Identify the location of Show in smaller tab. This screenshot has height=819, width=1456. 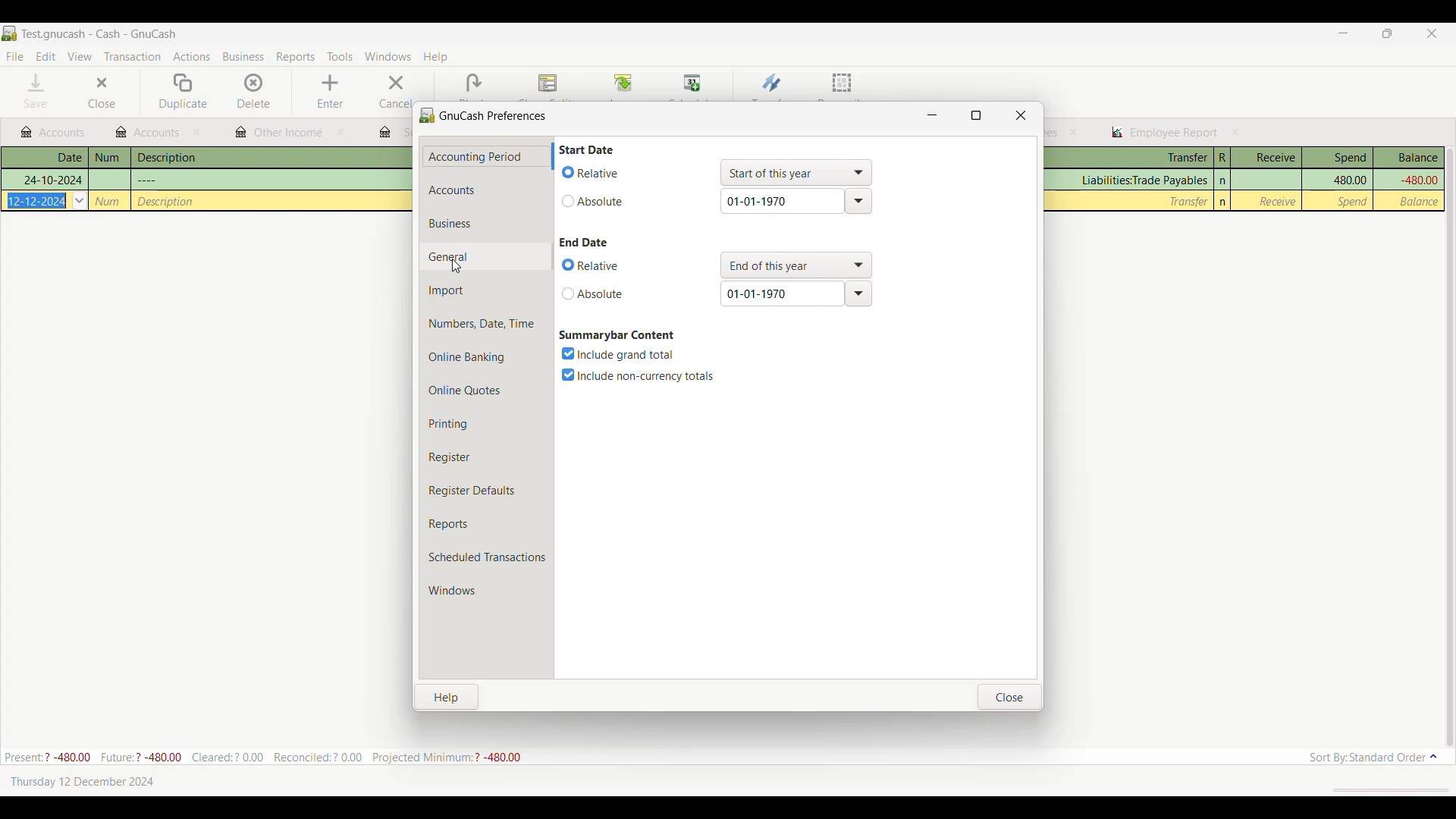
(1387, 33).